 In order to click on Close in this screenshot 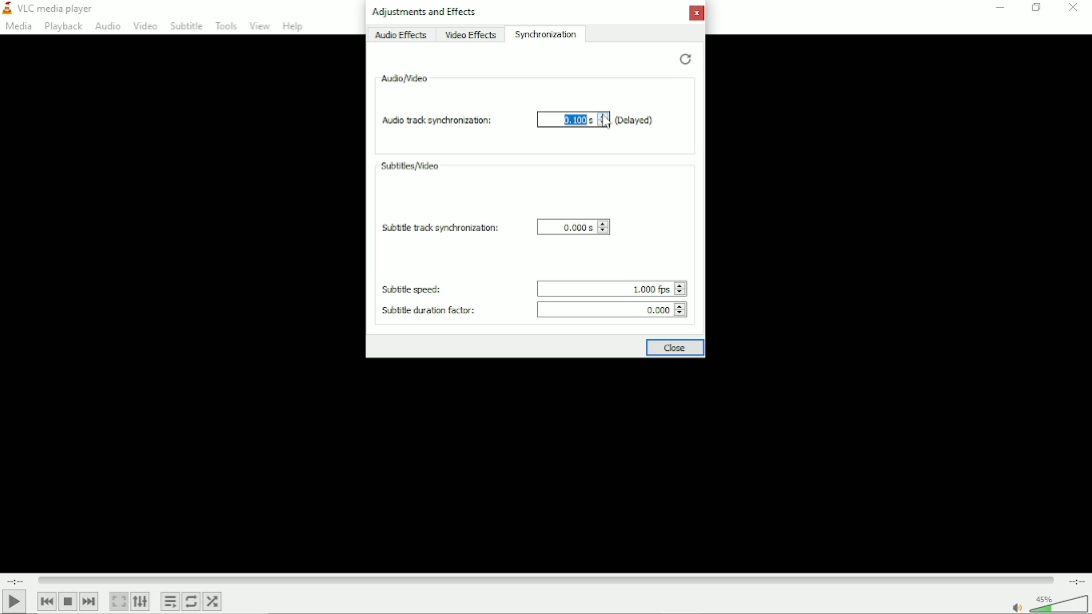, I will do `click(697, 13)`.